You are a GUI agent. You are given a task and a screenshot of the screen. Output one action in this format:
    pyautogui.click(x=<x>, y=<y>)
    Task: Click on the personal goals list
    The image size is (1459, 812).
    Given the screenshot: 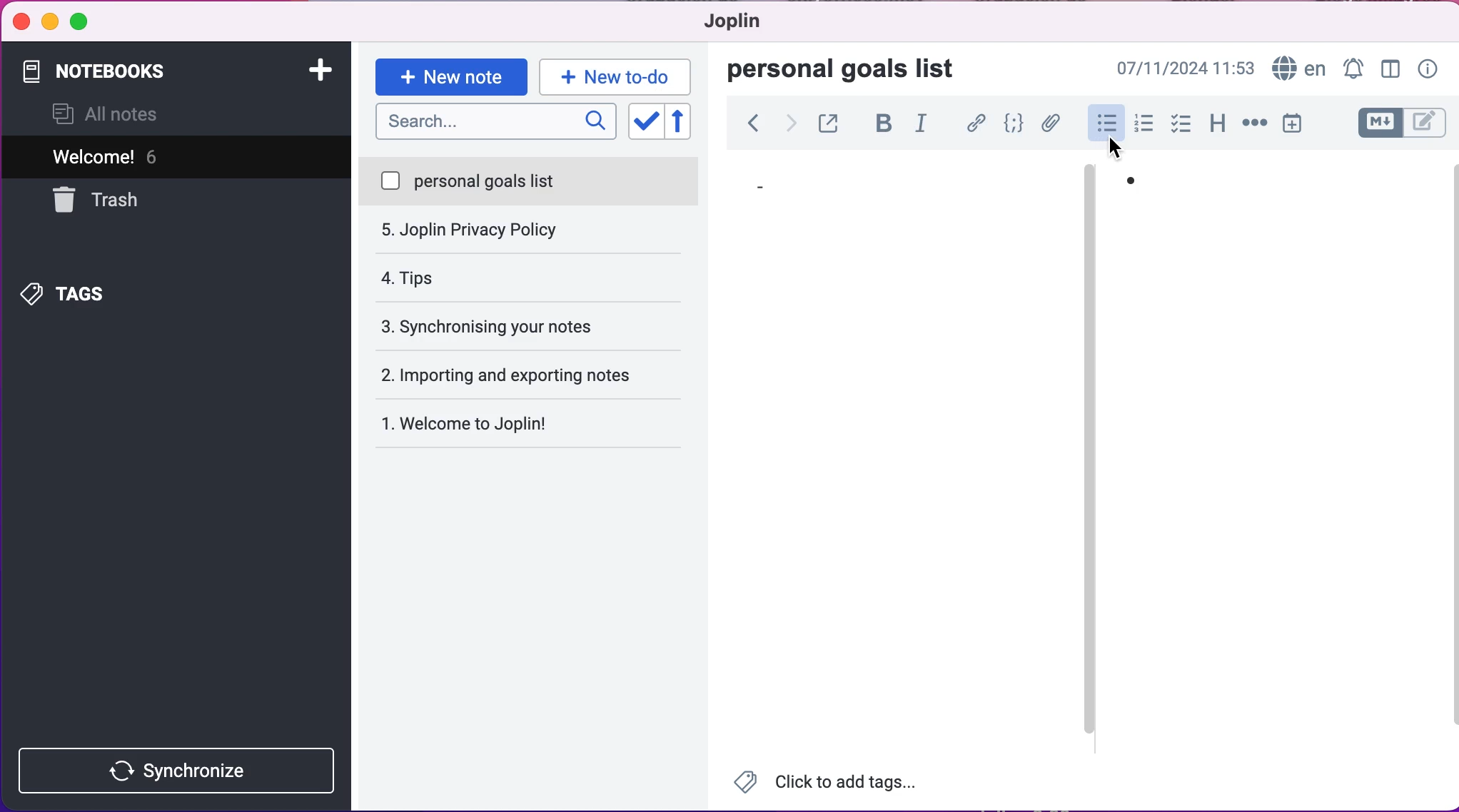 What is the action you would take?
    pyautogui.click(x=530, y=182)
    